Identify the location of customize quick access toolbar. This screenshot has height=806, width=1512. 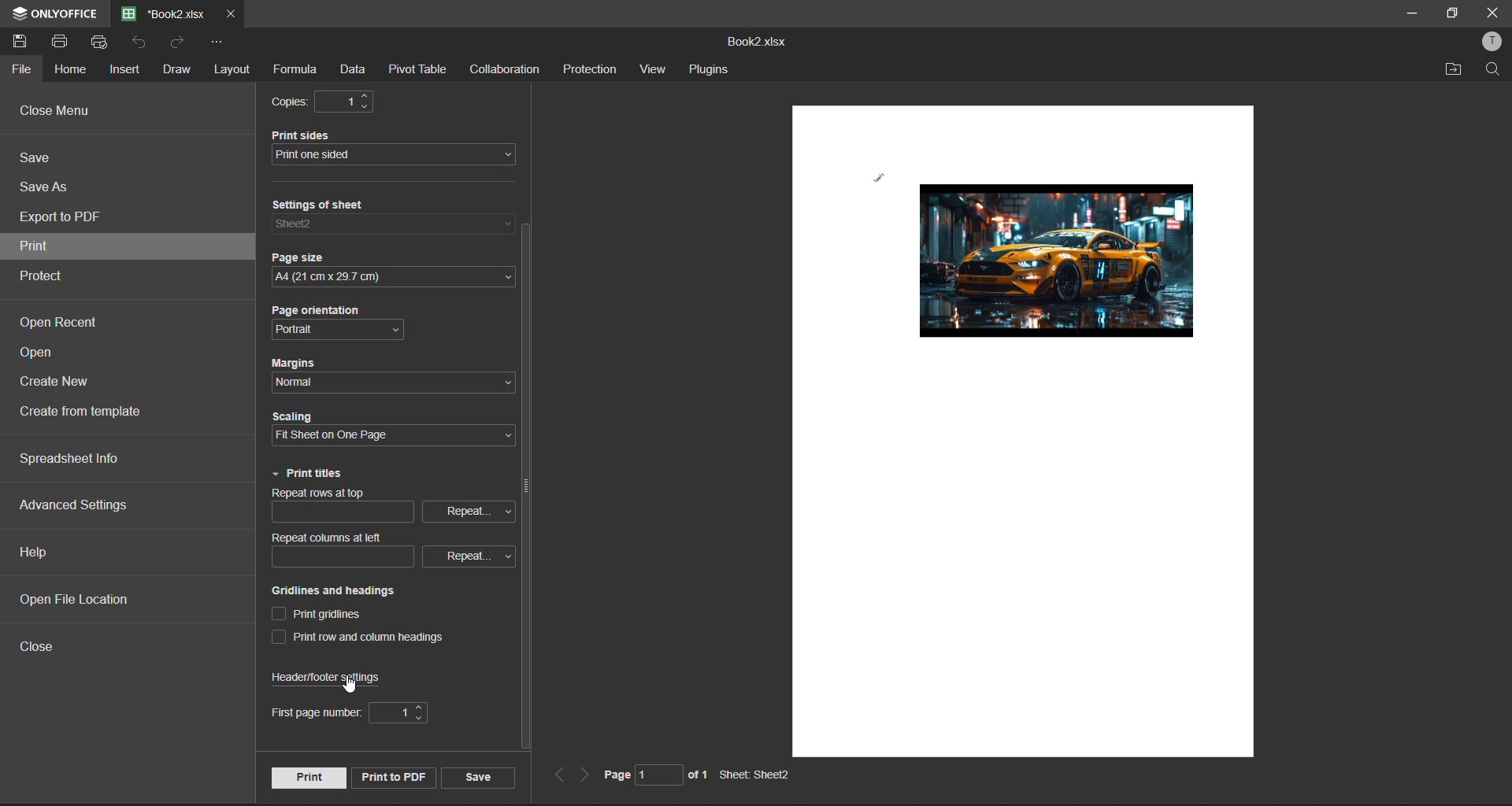
(223, 46).